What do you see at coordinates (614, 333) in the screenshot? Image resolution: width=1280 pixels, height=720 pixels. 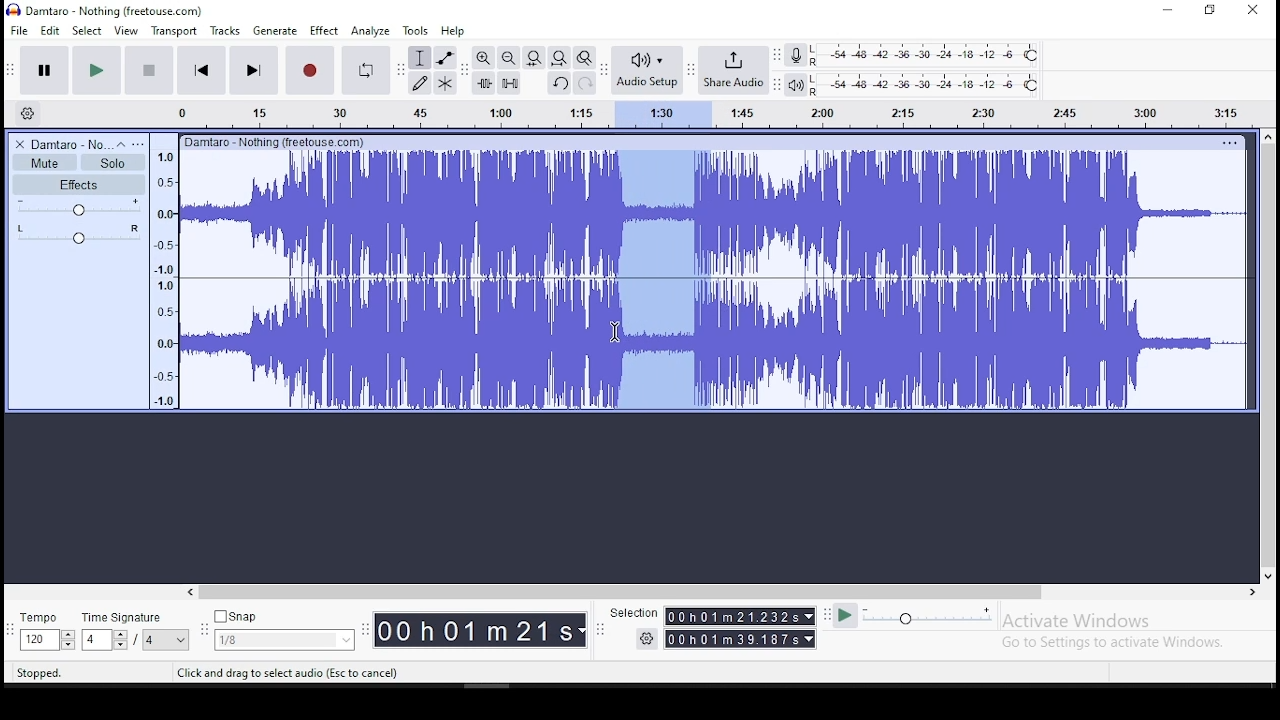 I see `cursor` at bounding box center [614, 333].